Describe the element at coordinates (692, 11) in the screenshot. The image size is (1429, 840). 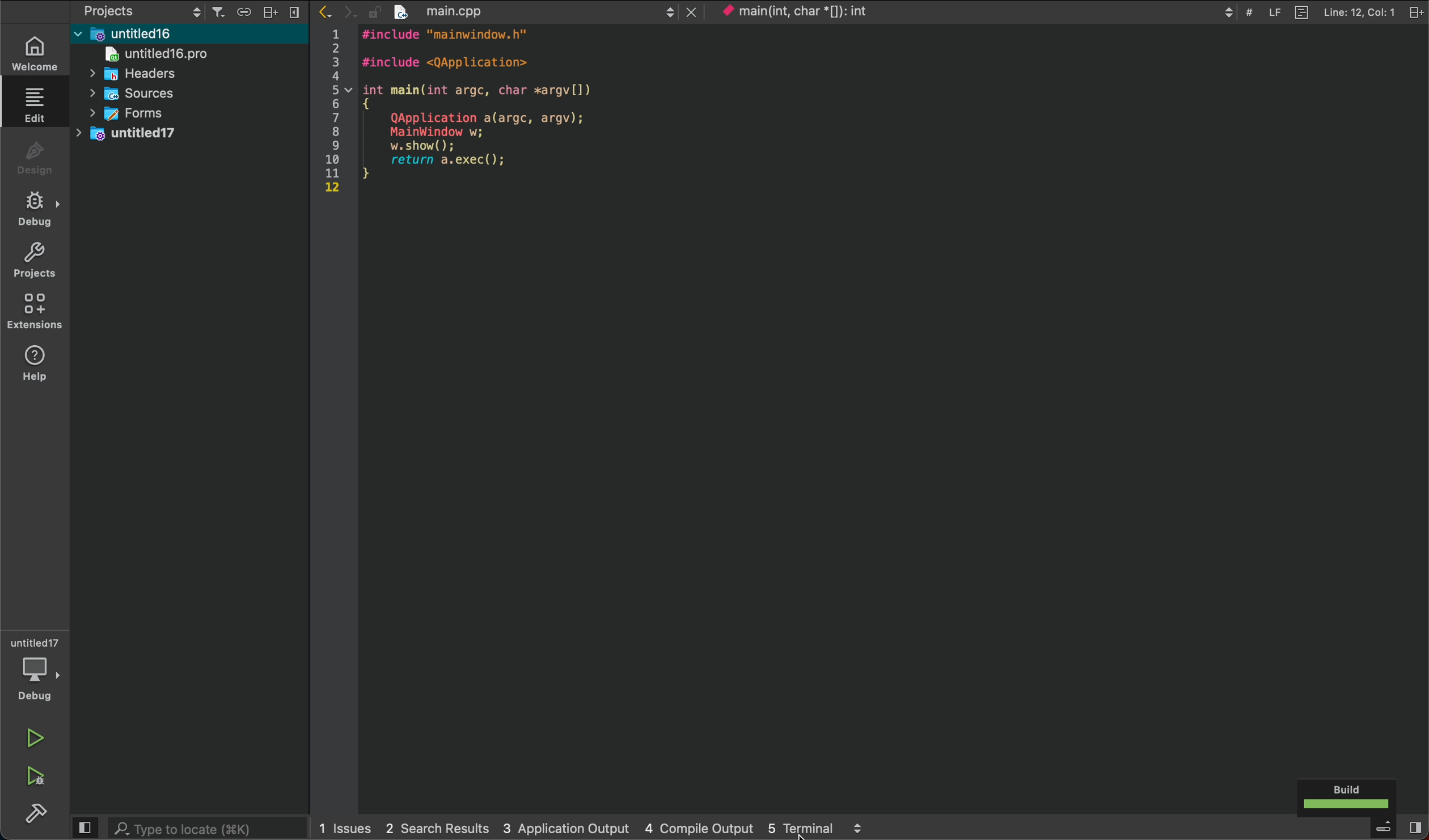
I see `close` at that location.